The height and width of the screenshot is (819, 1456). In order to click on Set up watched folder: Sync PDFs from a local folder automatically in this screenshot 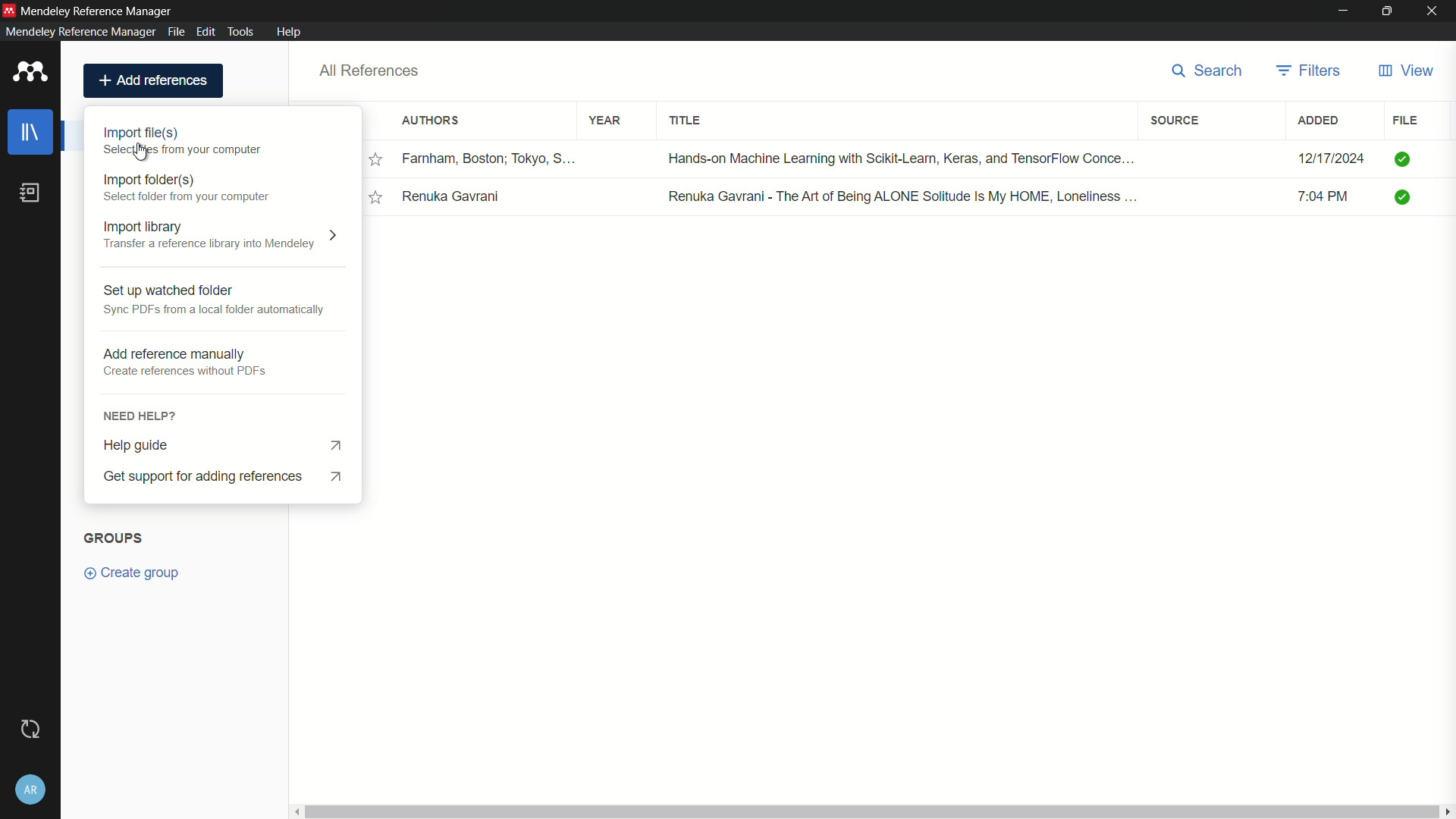, I will do `click(214, 300)`.